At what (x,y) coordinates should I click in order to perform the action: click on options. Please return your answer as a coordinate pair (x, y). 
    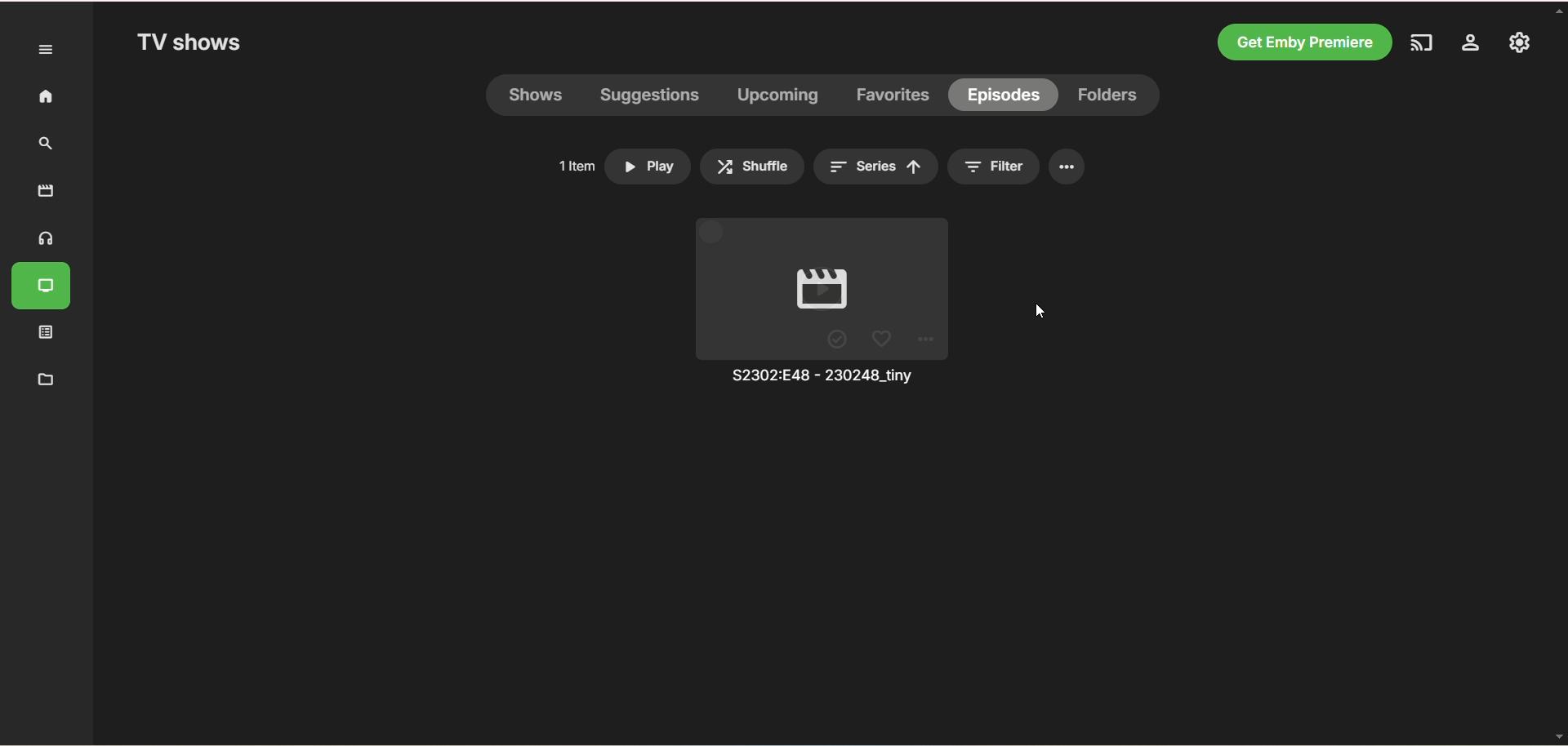
    Looking at the image, I should click on (928, 339).